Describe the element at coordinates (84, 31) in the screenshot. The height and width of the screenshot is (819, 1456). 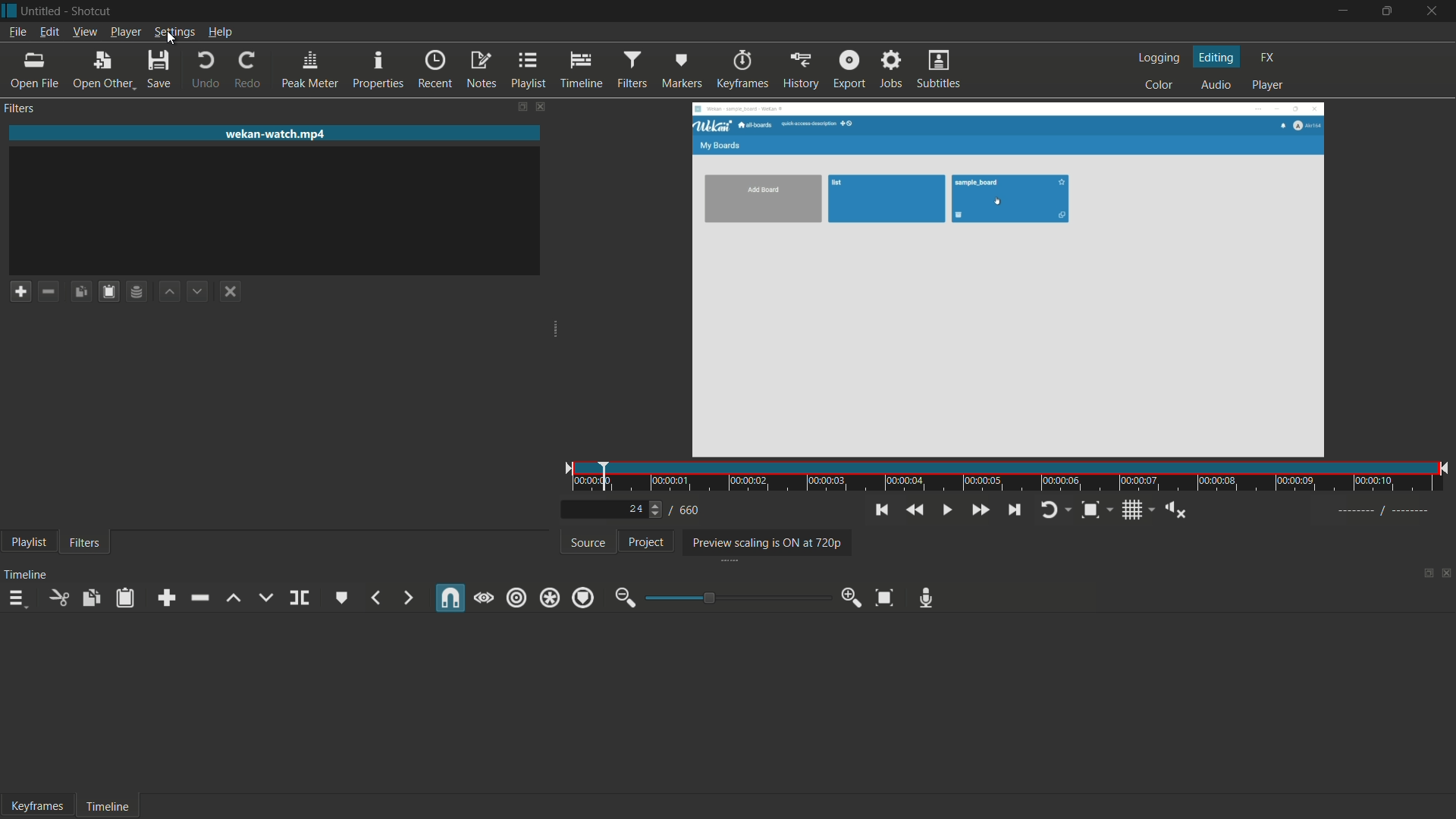
I see `view menu` at that location.